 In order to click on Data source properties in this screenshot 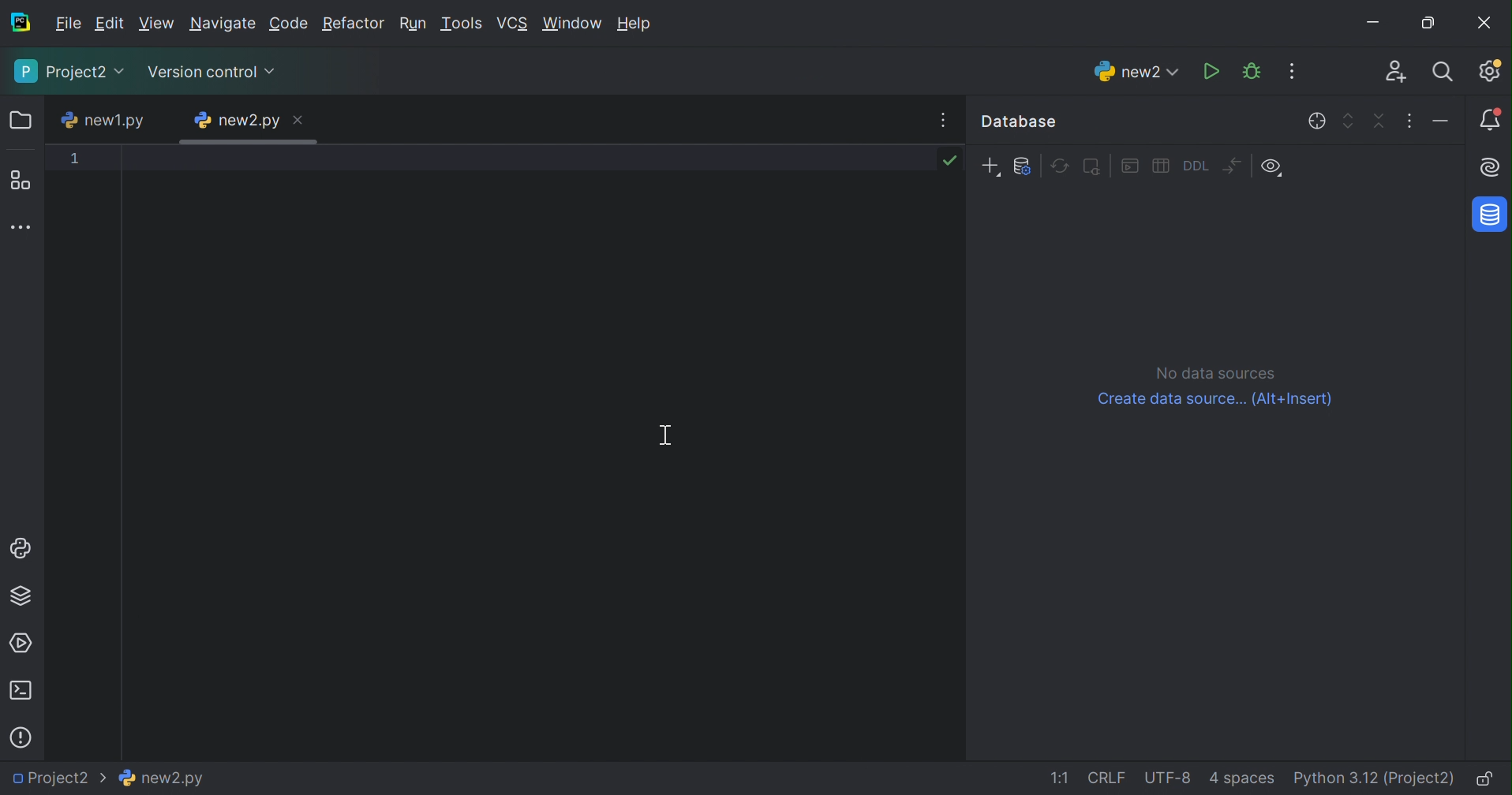, I will do `click(1024, 167)`.